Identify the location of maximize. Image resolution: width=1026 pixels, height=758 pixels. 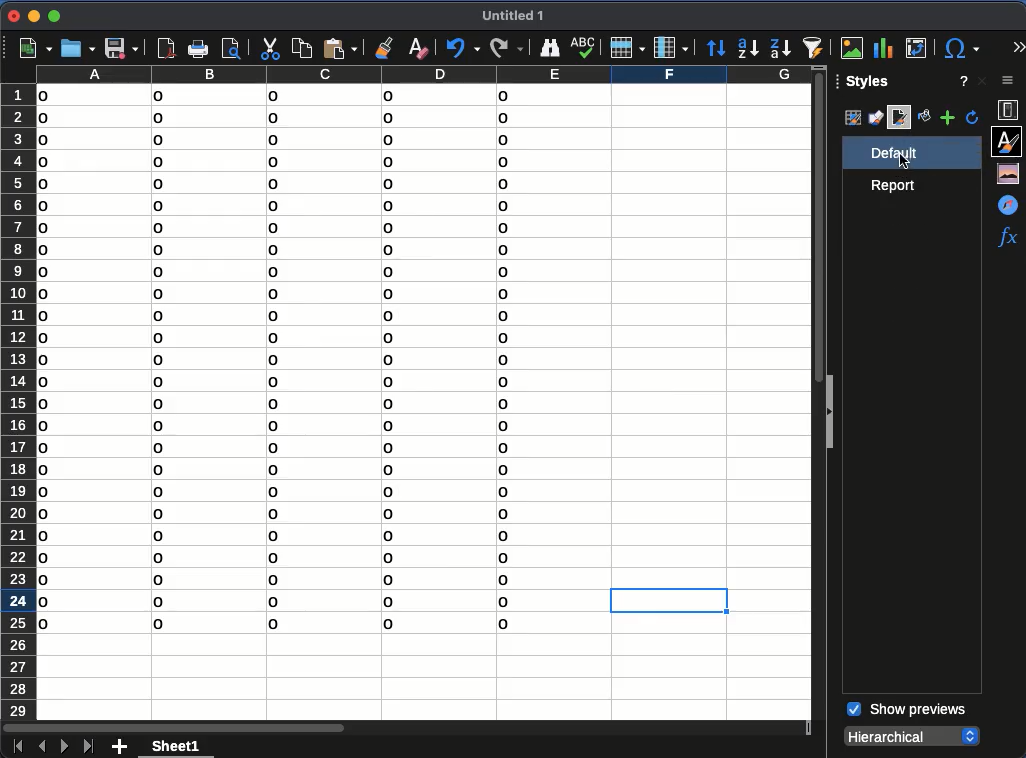
(56, 17).